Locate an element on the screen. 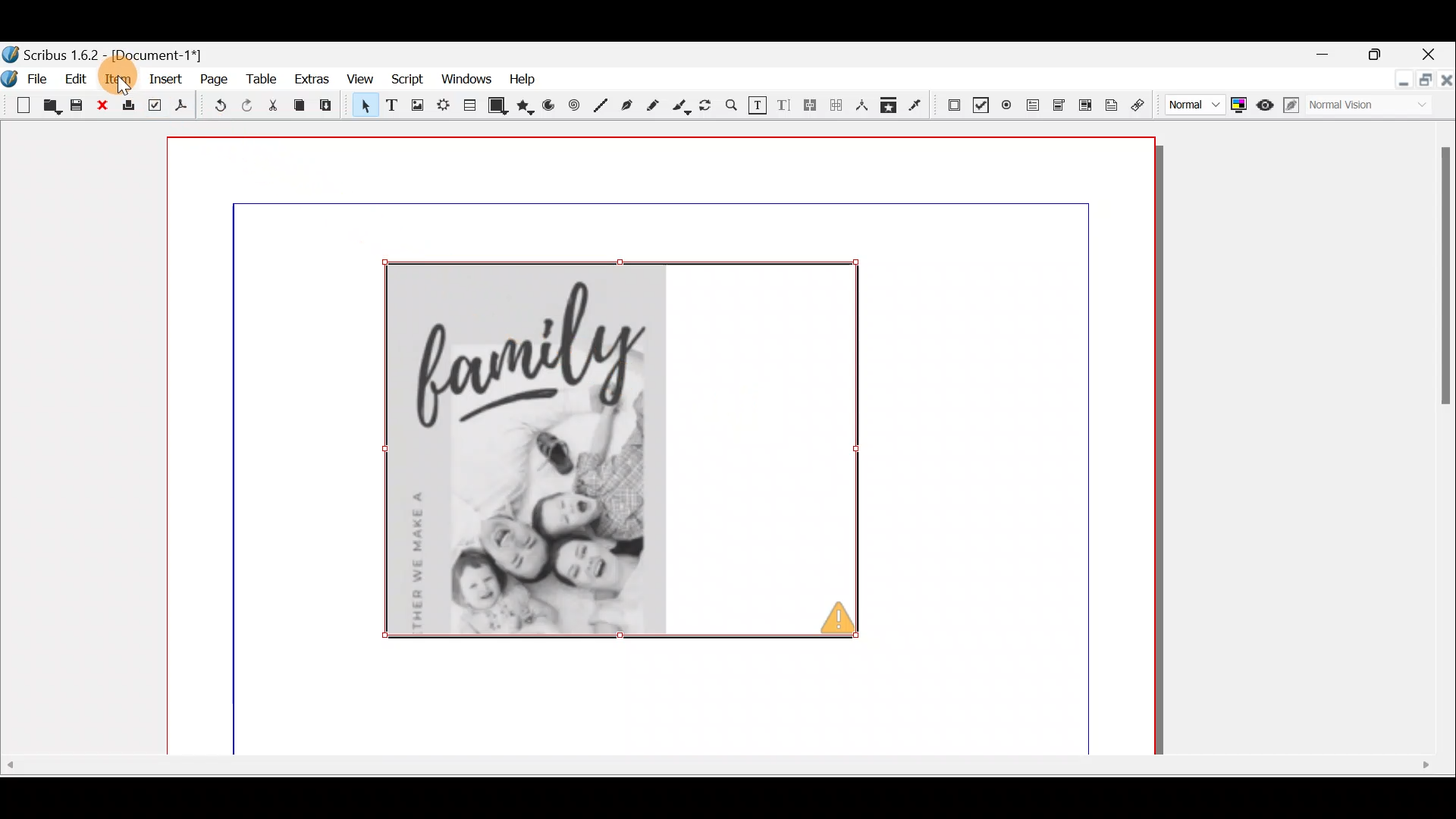 This screenshot has height=819, width=1456. Cursor is located at coordinates (124, 86).